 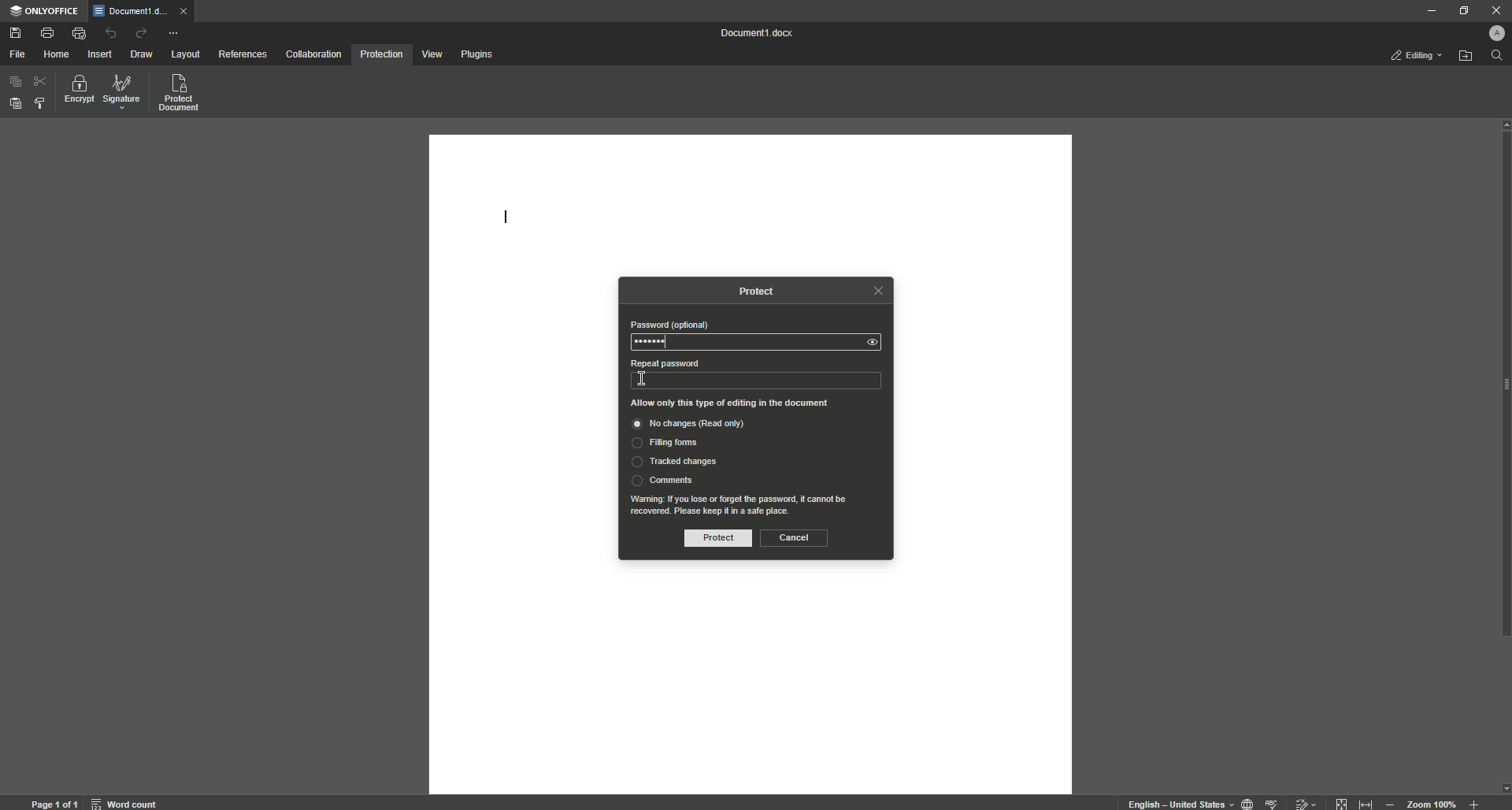 I want to click on Plugins, so click(x=478, y=54).